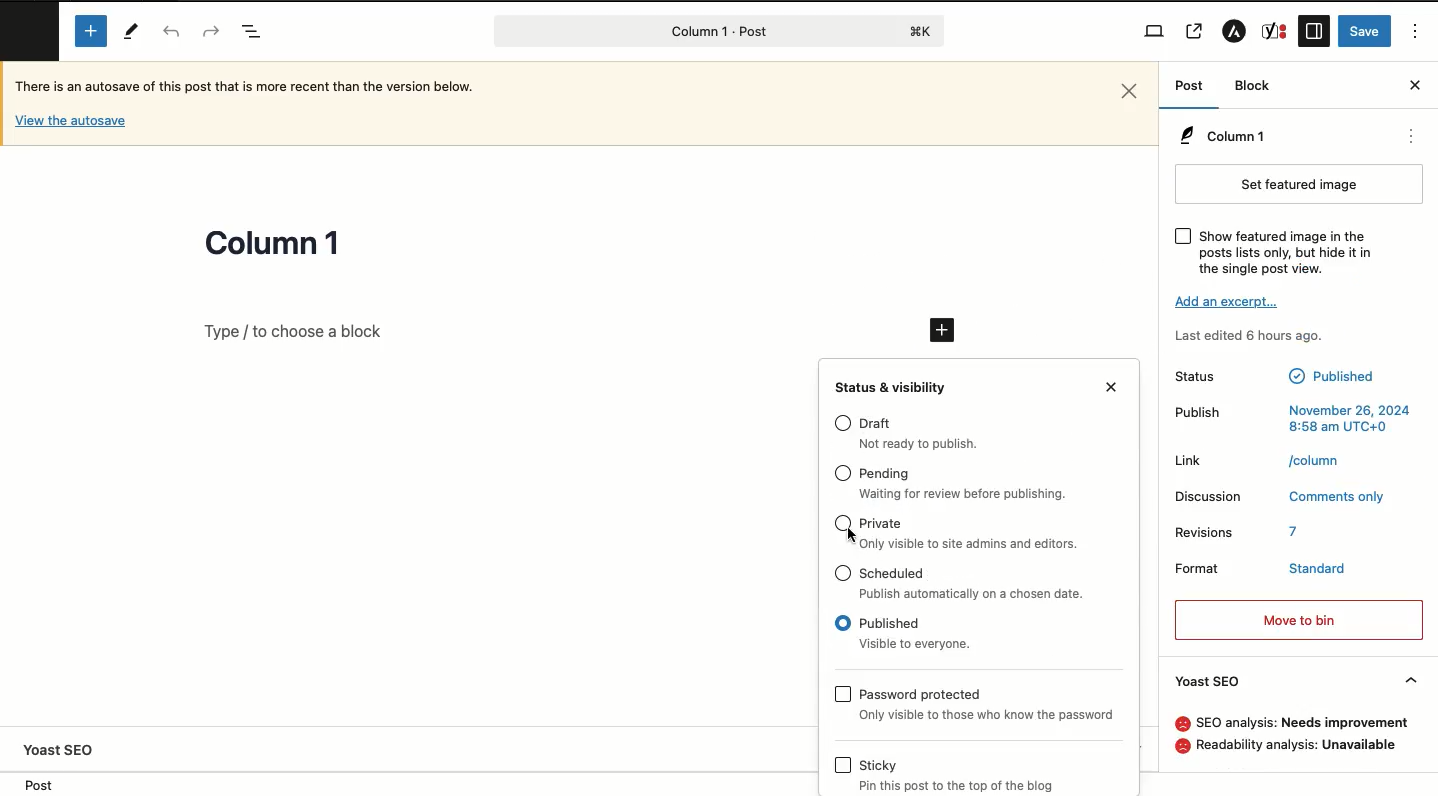 The image size is (1438, 796). Describe the element at coordinates (1367, 30) in the screenshot. I see `Save` at that location.